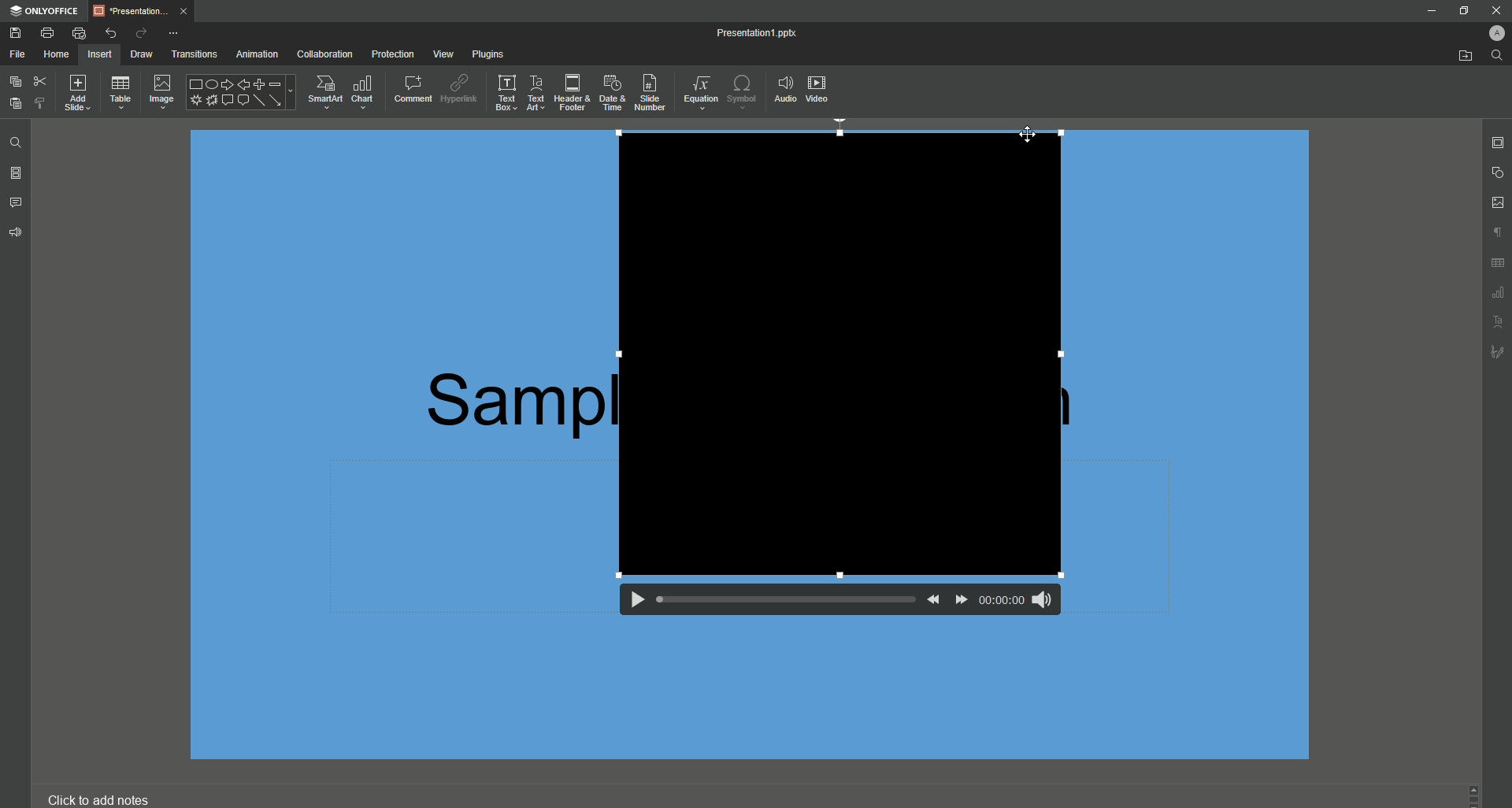 This screenshot has width=1512, height=808. What do you see at coordinates (14, 81) in the screenshot?
I see `Copy` at bounding box center [14, 81].